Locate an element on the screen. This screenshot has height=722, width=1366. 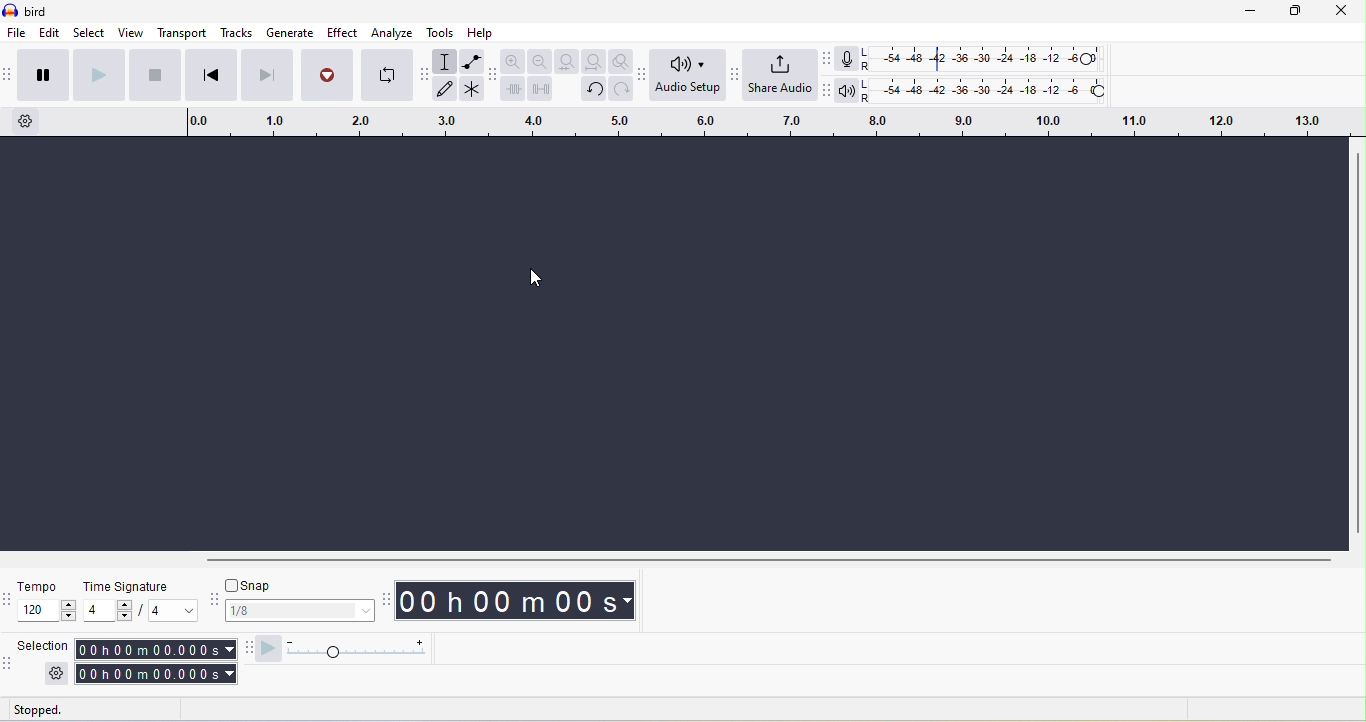
audacity time toolbar is located at coordinates (386, 599).